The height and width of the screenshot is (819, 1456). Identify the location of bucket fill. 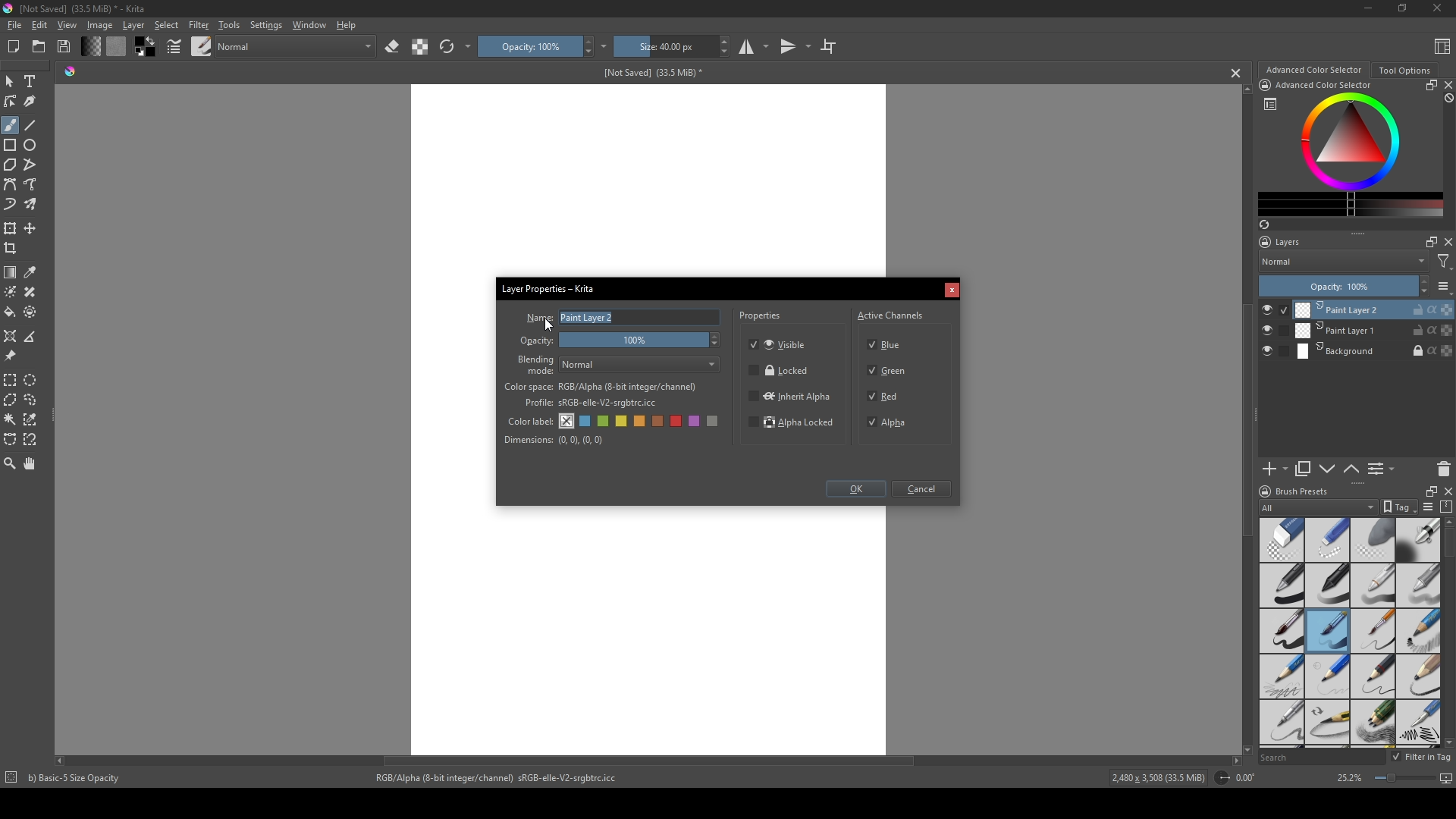
(11, 312).